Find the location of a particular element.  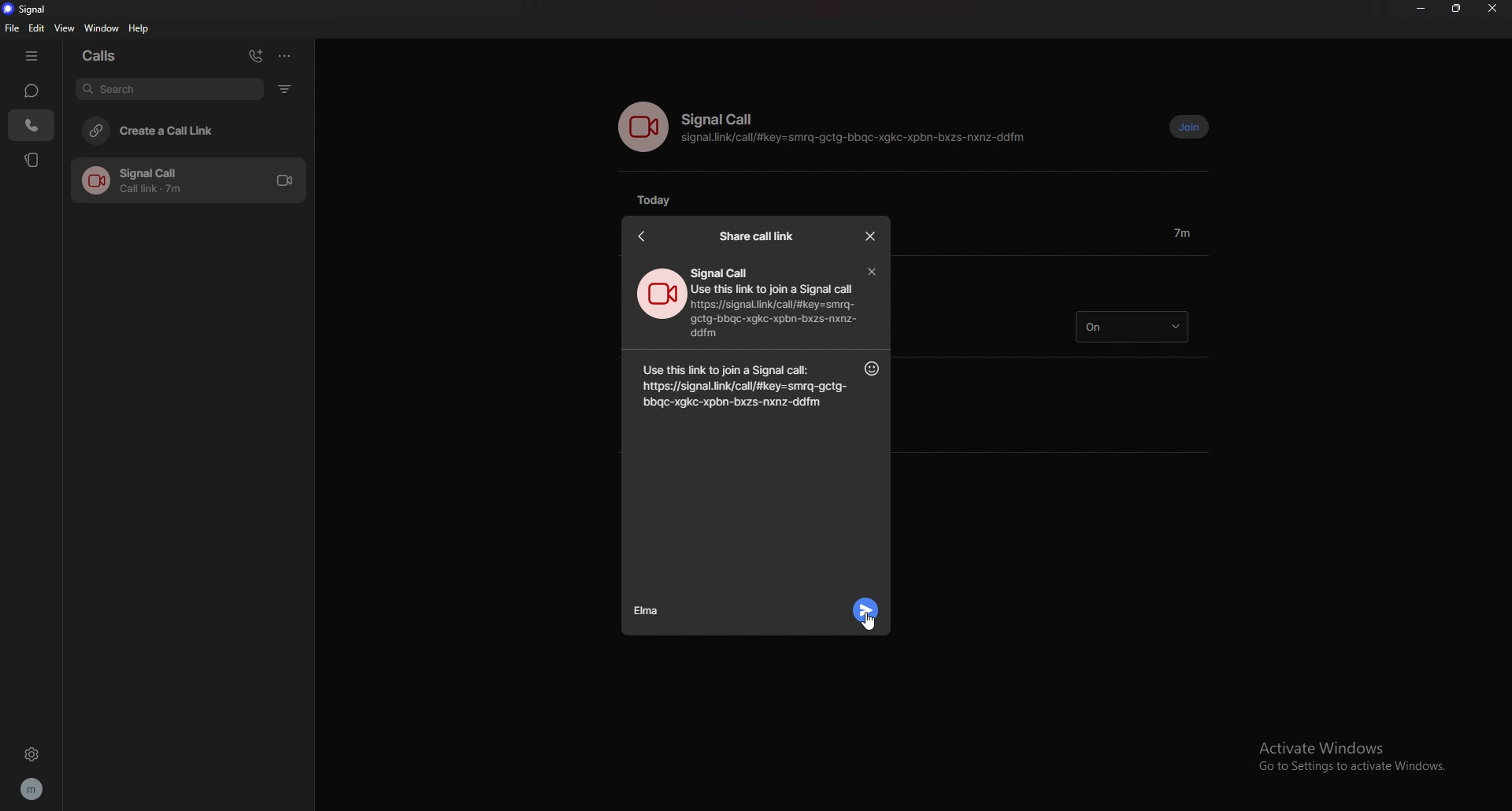

chats is located at coordinates (32, 91).